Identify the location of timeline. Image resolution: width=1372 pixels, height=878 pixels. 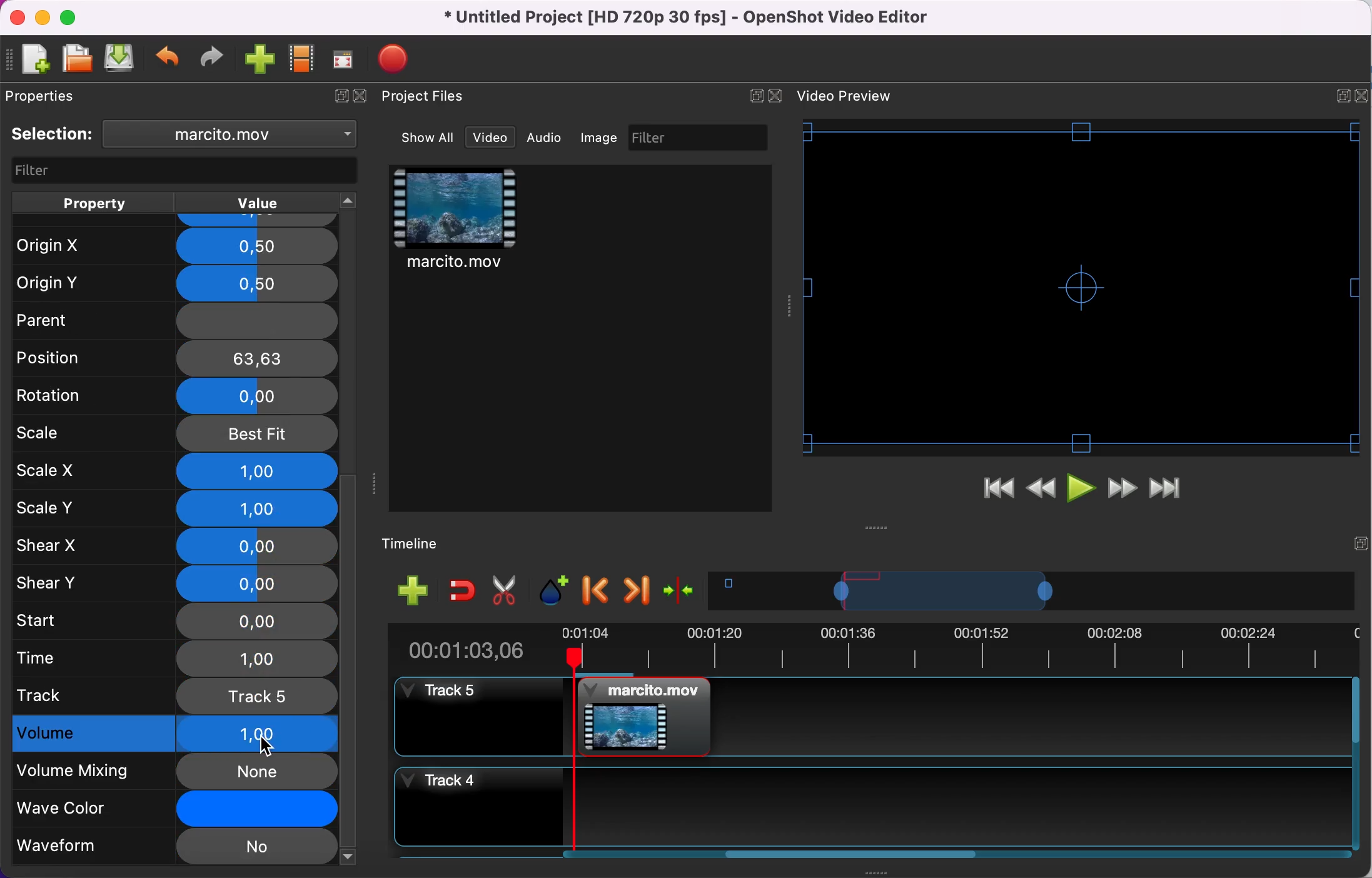
(420, 545).